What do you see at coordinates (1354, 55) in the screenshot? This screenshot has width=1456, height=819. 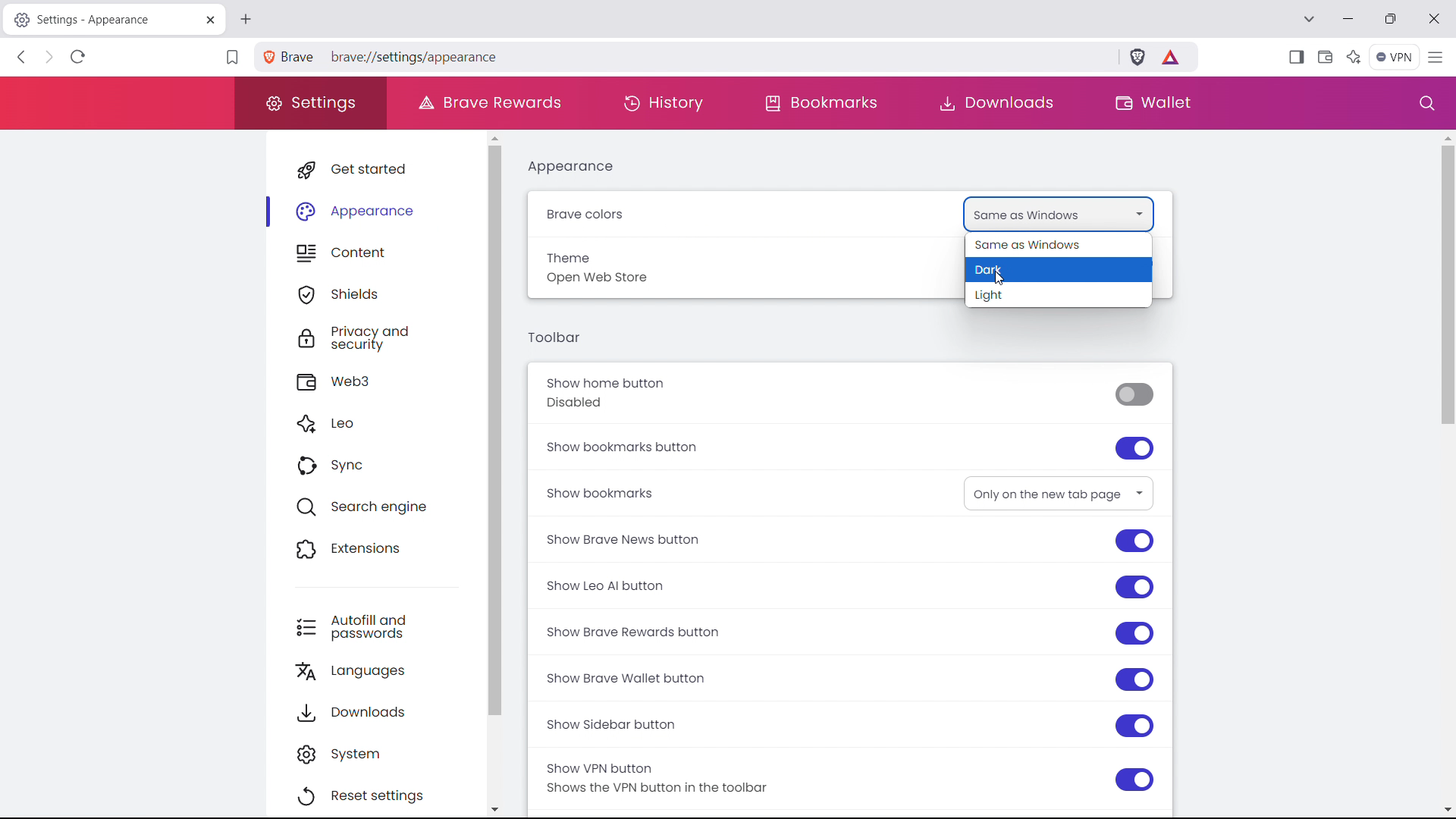 I see `leo AI` at bounding box center [1354, 55].